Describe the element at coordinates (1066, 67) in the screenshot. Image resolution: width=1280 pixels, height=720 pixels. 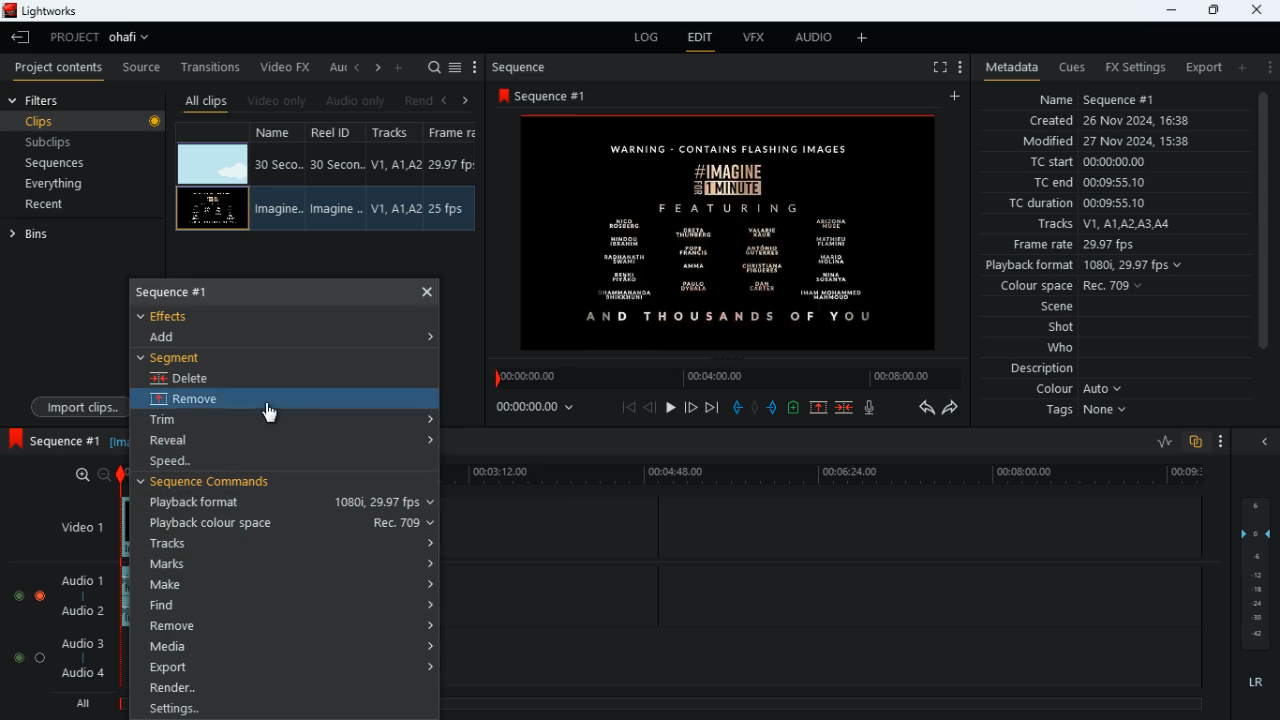
I see `cues` at that location.